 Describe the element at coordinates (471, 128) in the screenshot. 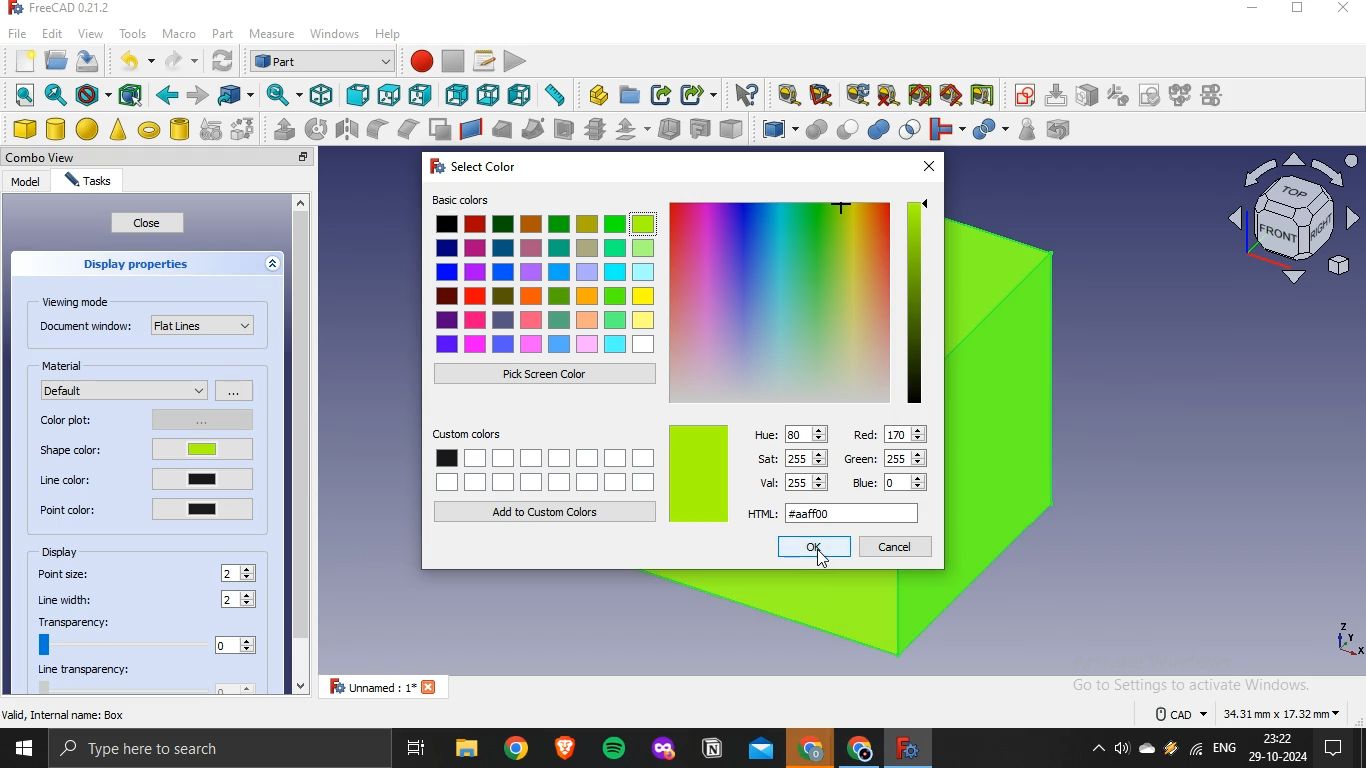

I see `create a ruled surface` at that location.